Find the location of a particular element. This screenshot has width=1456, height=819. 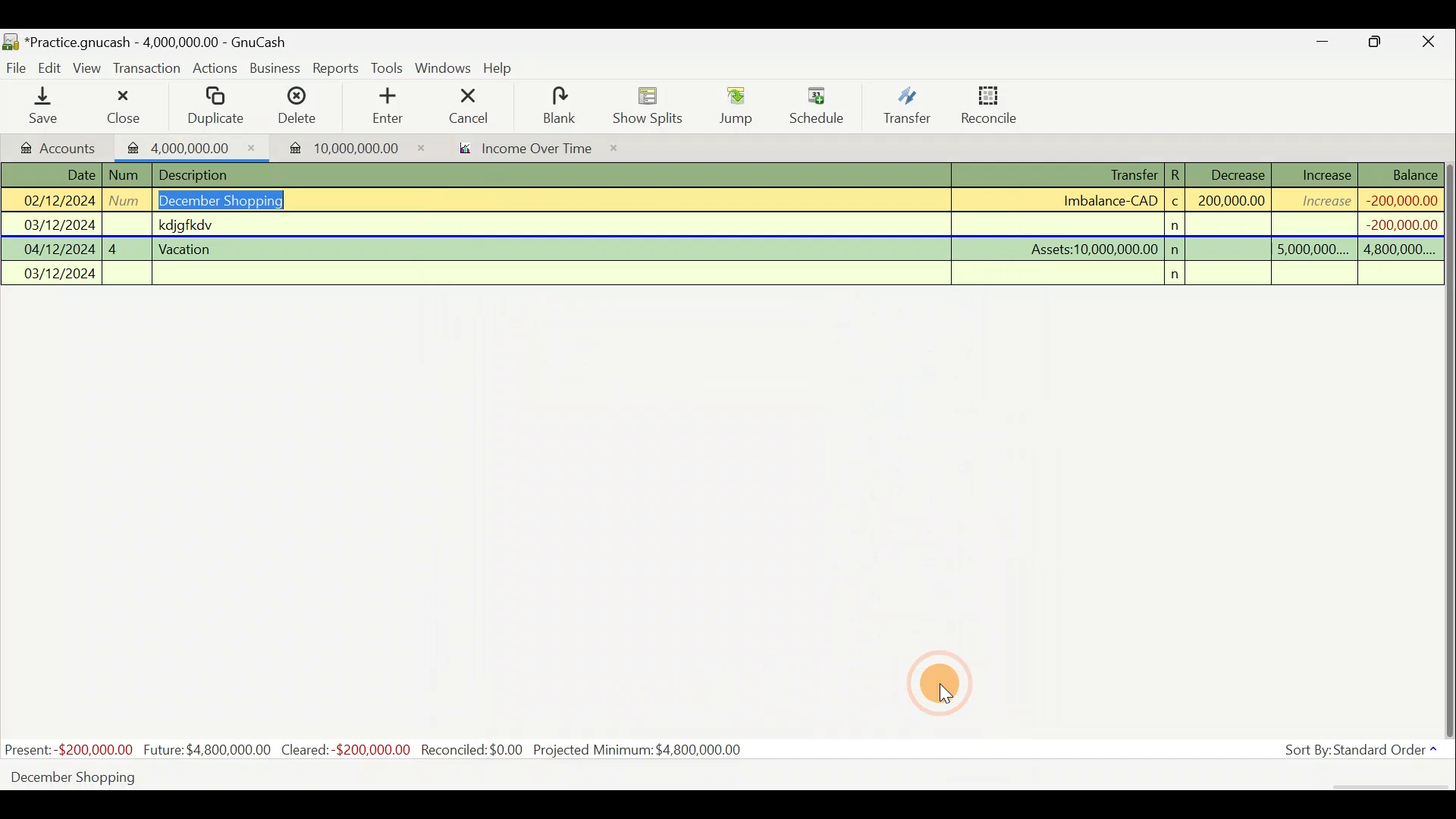

Document name is located at coordinates (163, 43).